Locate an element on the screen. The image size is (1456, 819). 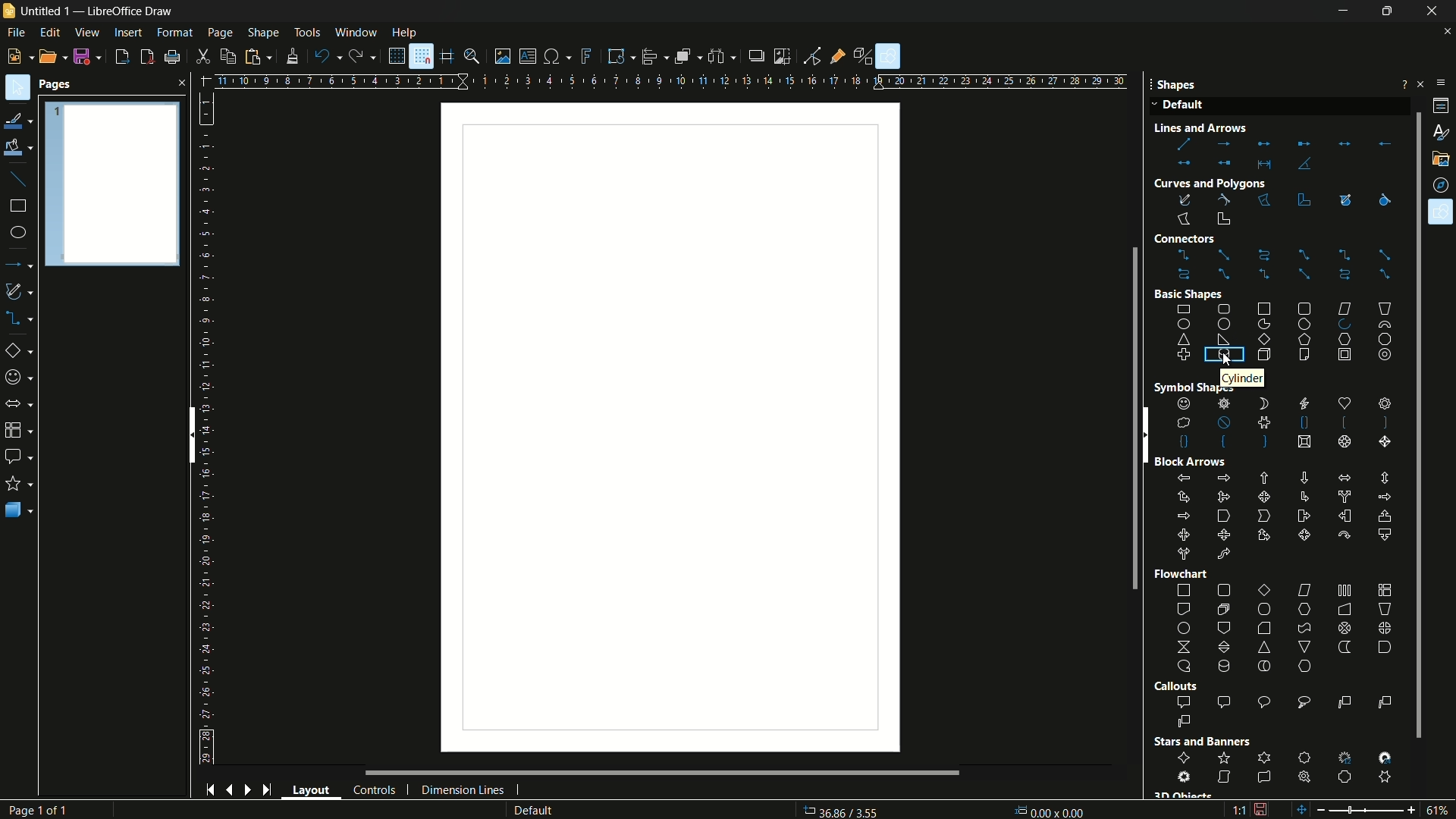
properties is located at coordinates (1441, 106).